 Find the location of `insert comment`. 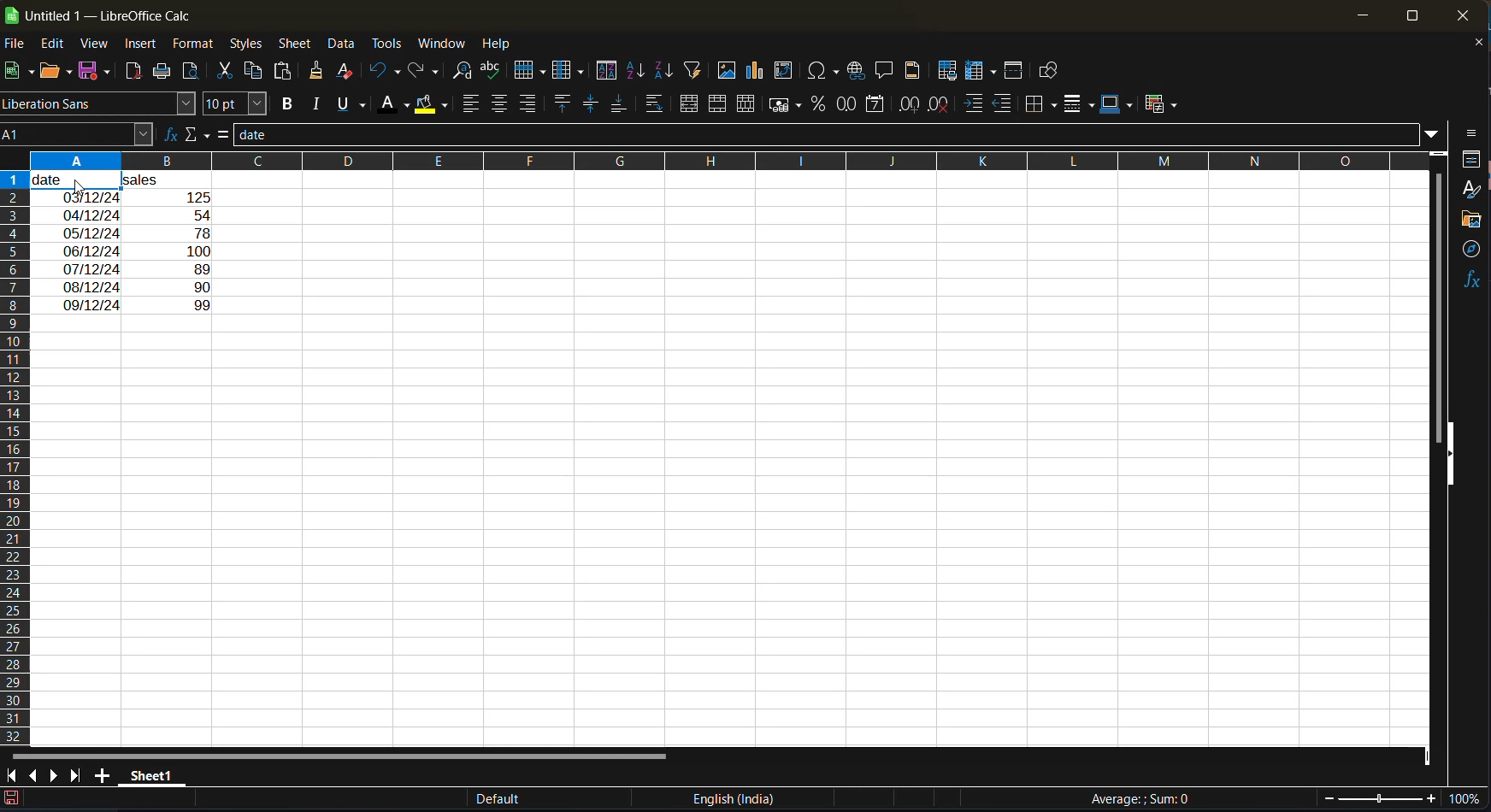

insert comment is located at coordinates (886, 72).